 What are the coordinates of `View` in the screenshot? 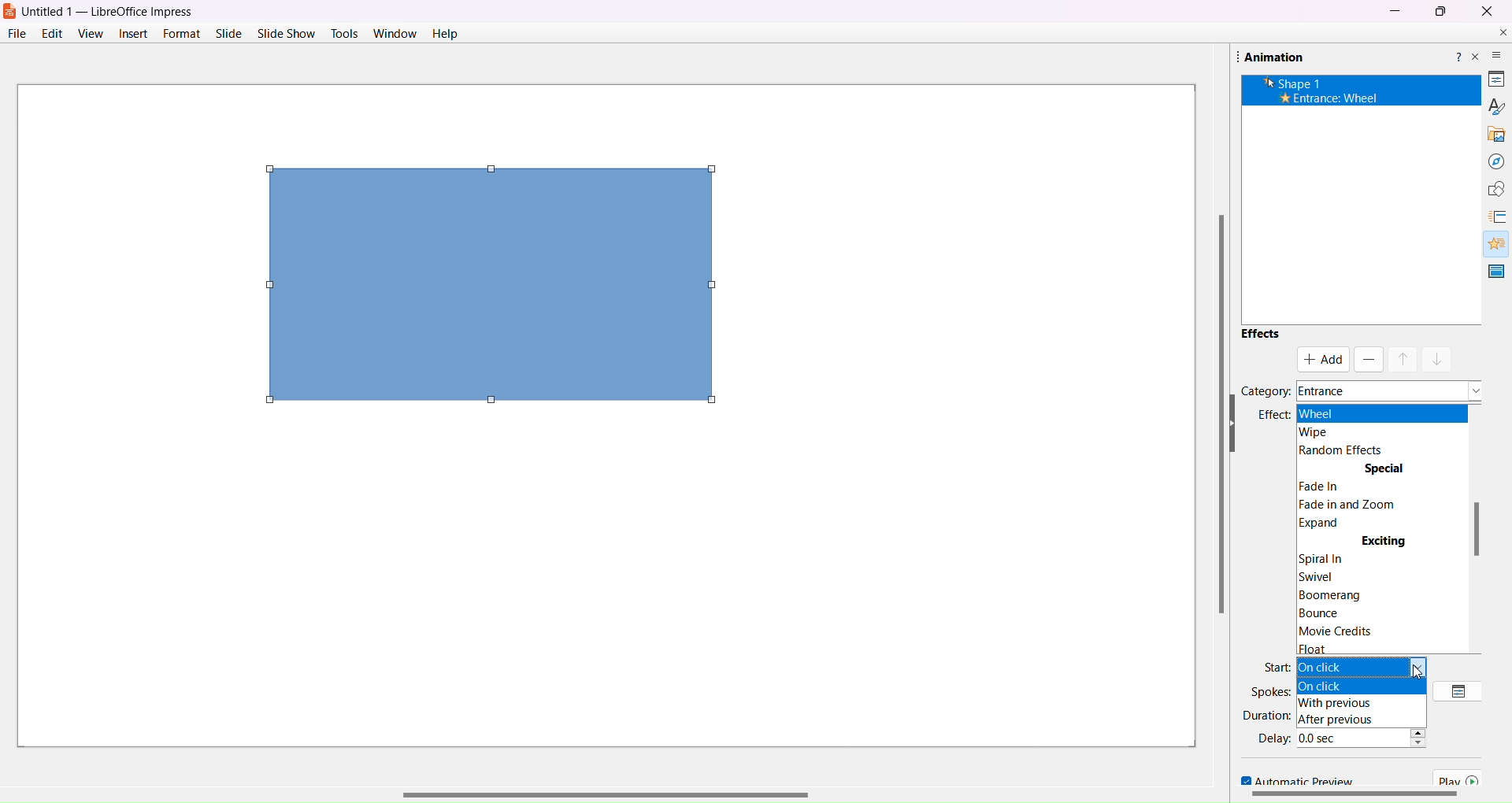 It's located at (90, 33).